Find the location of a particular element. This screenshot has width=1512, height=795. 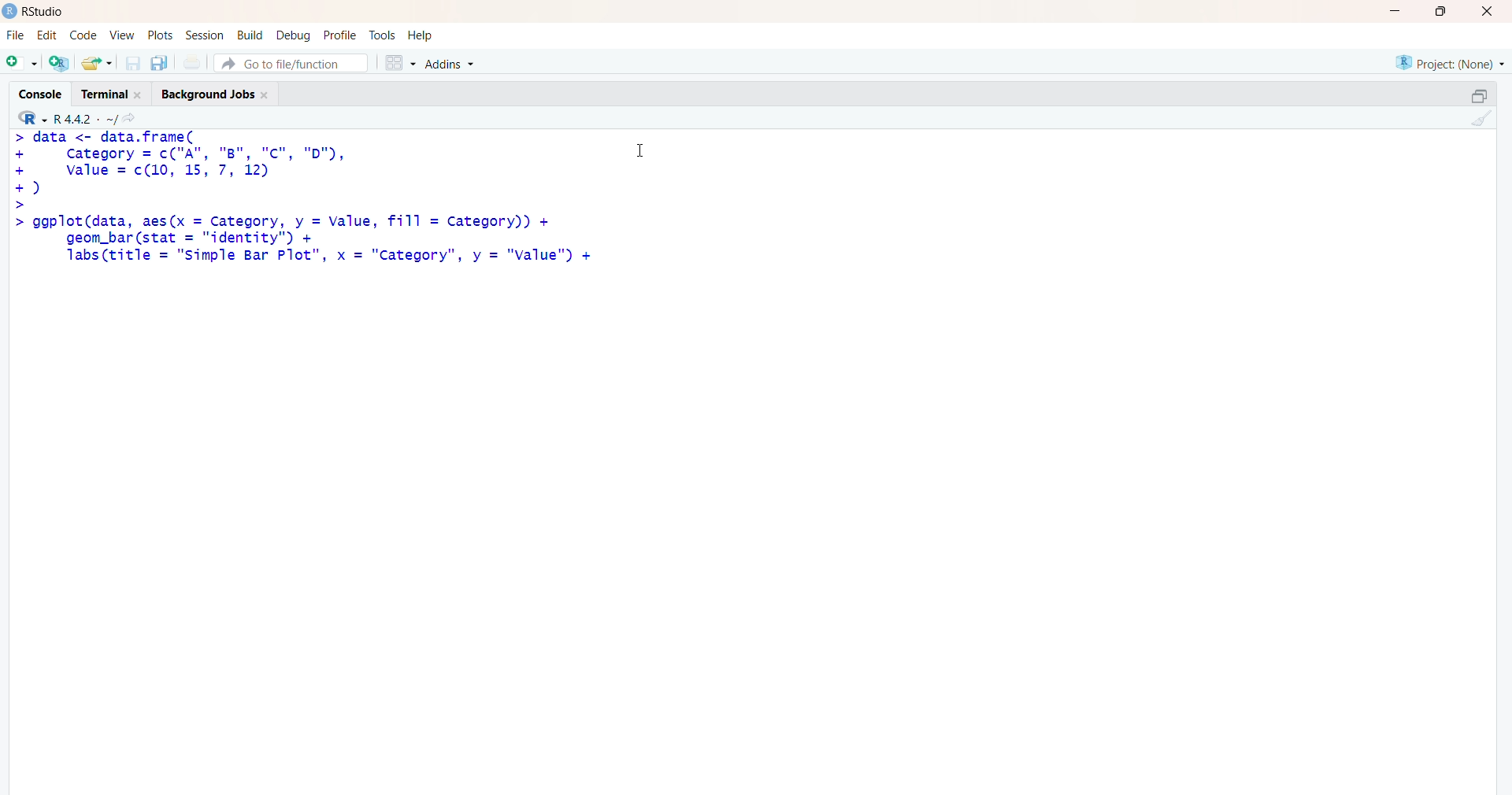

clear console is located at coordinates (1479, 118).